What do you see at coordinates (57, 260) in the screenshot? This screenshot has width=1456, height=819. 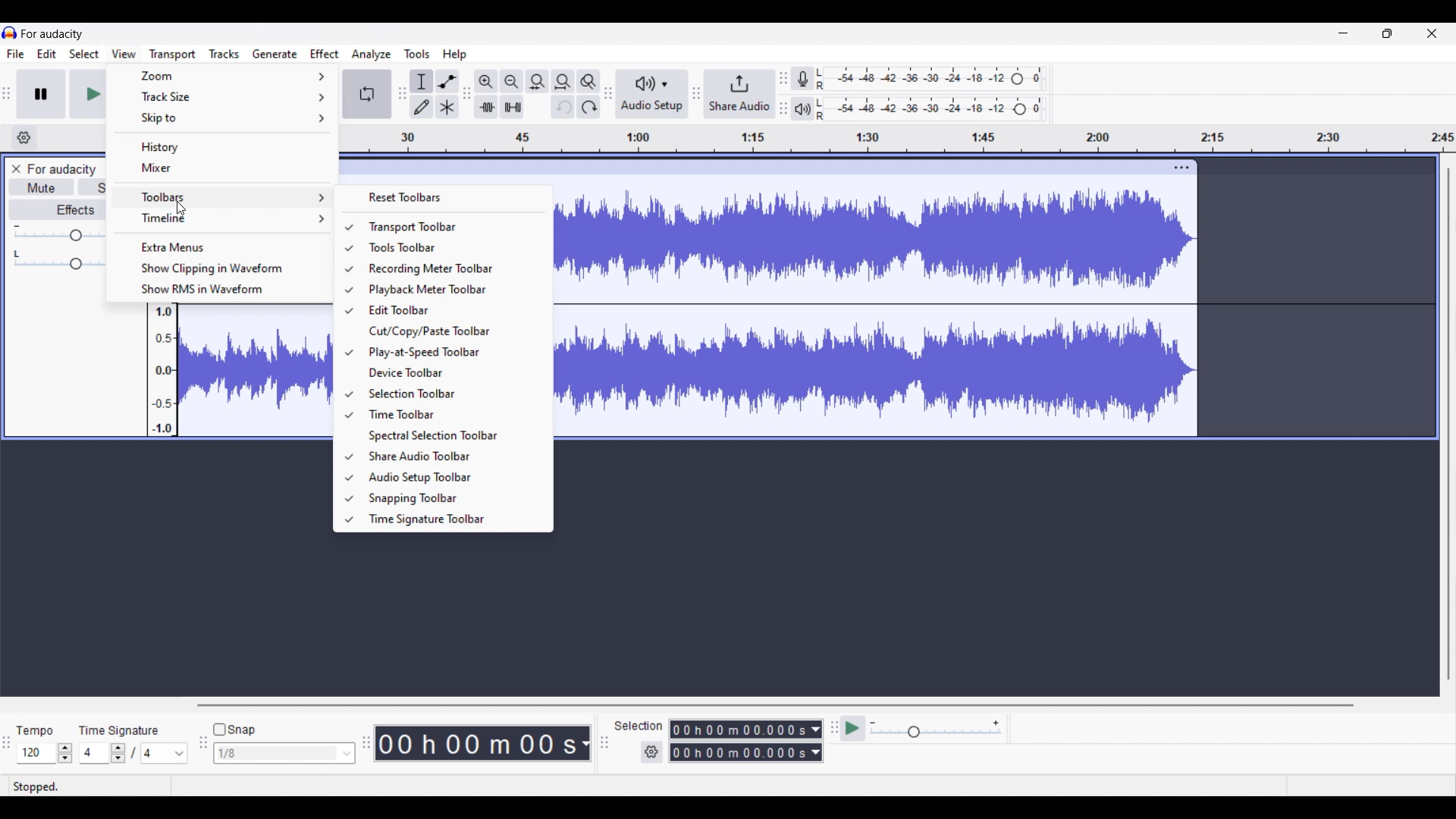 I see `Pan slider` at bounding box center [57, 260].